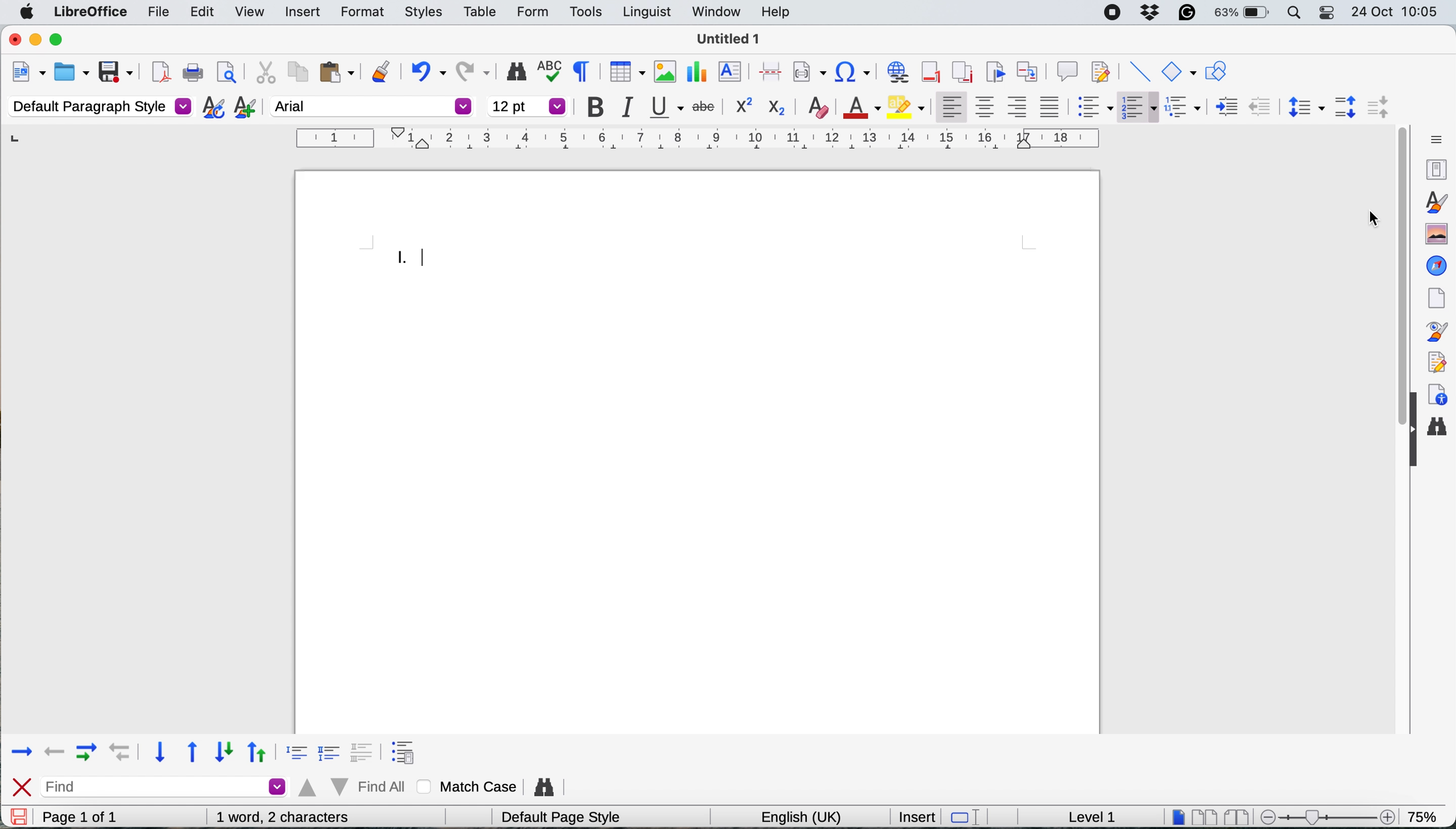 The width and height of the screenshot is (1456, 829). I want to click on up, so click(258, 750).